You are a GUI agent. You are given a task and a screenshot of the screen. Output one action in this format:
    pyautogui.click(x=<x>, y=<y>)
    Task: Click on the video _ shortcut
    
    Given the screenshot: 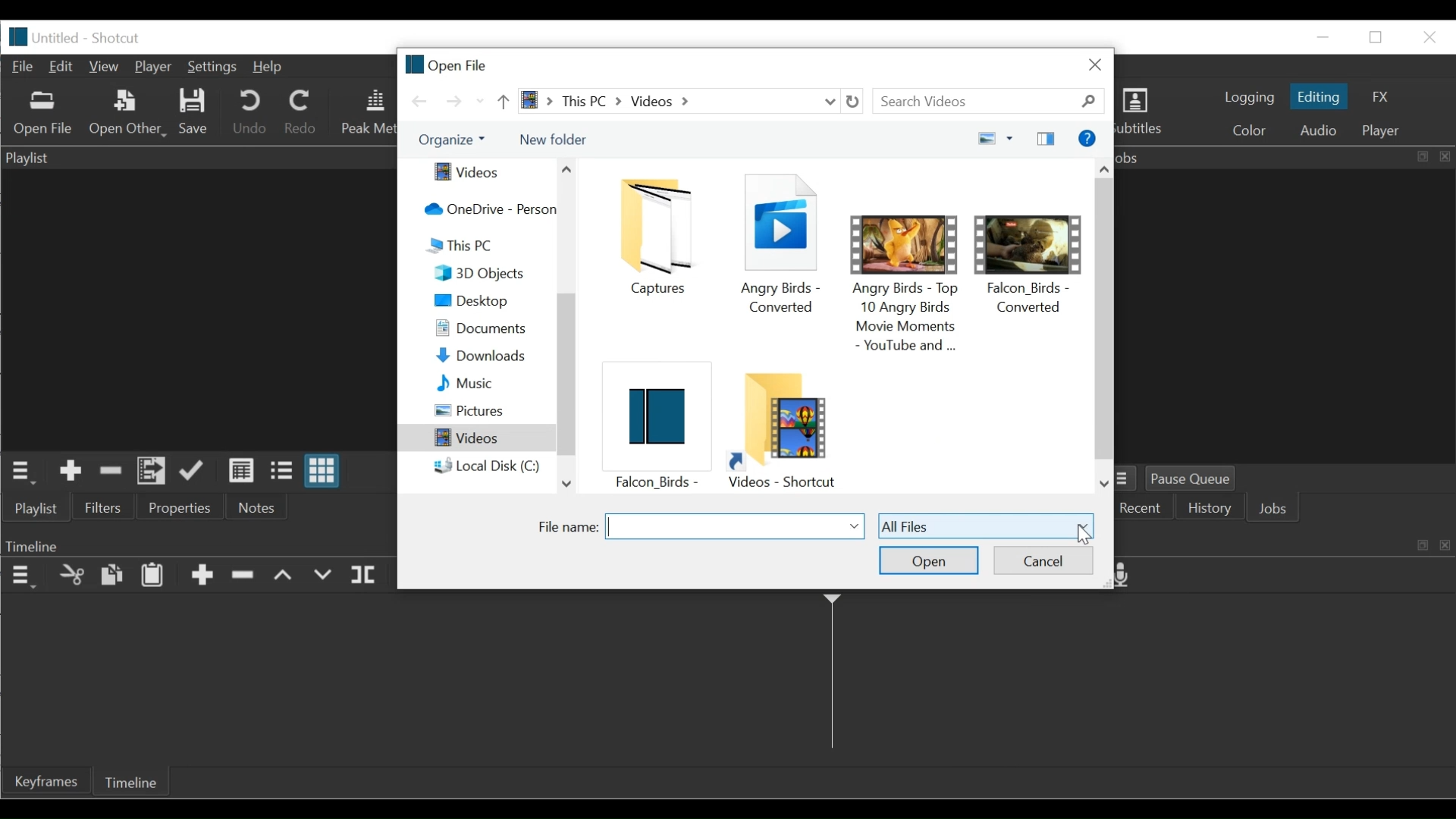 What is the action you would take?
    pyautogui.click(x=788, y=429)
    